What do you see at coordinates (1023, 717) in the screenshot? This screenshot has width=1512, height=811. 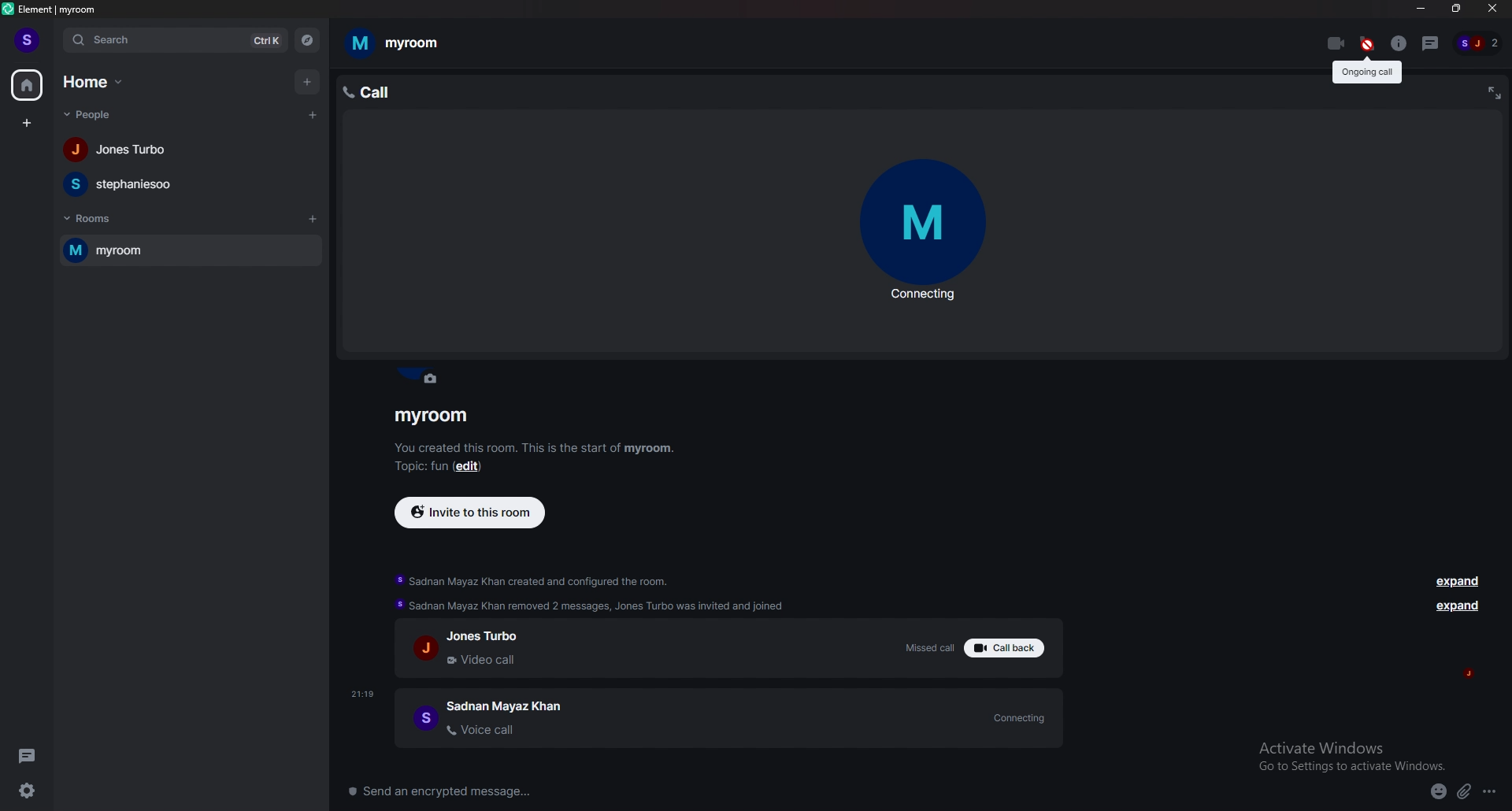 I see `Connecting` at bounding box center [1023, 717].